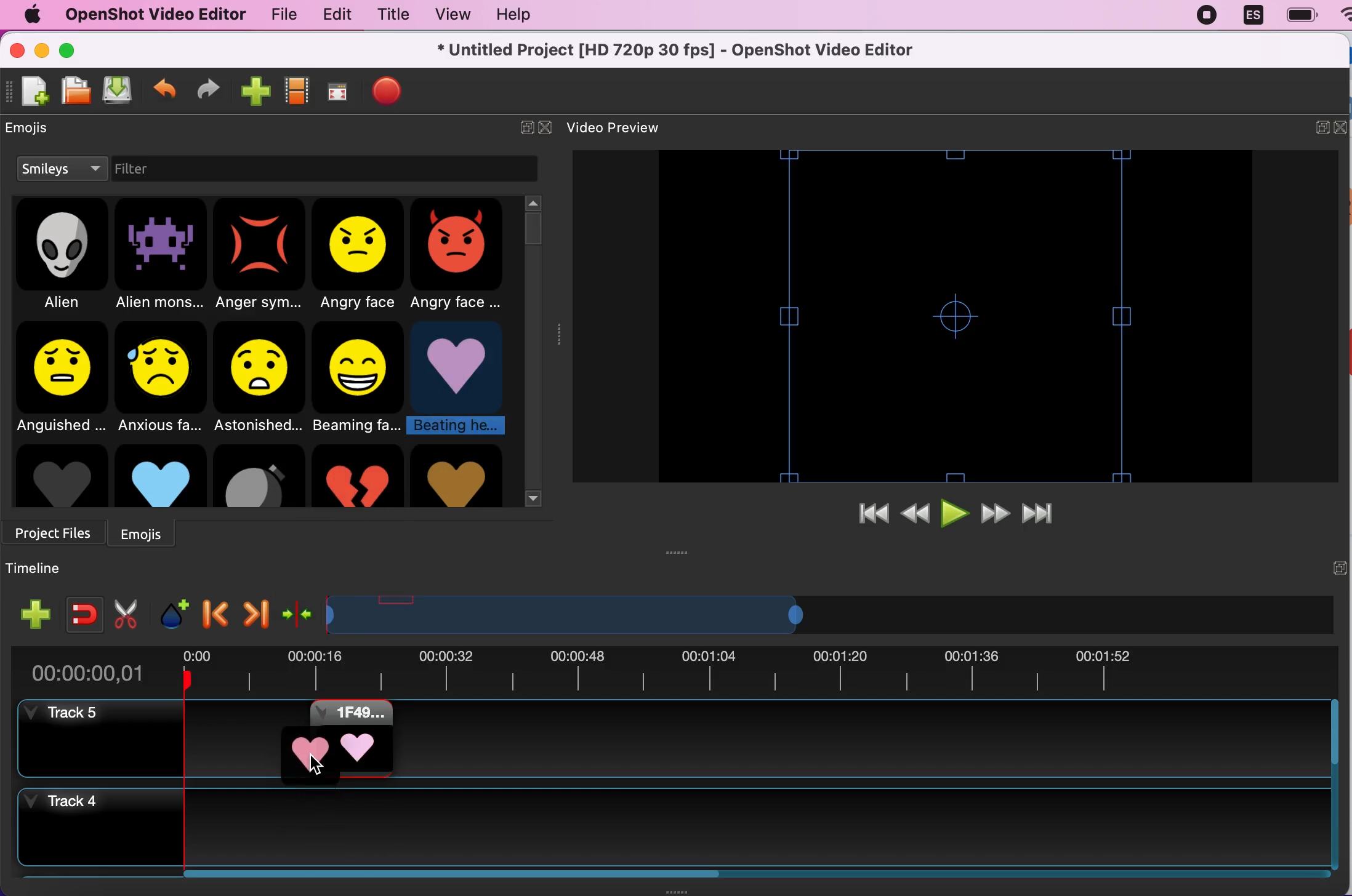 Image resolution: width=1352 pixels, height=896 pixels. Describe the element at coordinates (954, 316) in the screenshot. I see `video preview` at that location.